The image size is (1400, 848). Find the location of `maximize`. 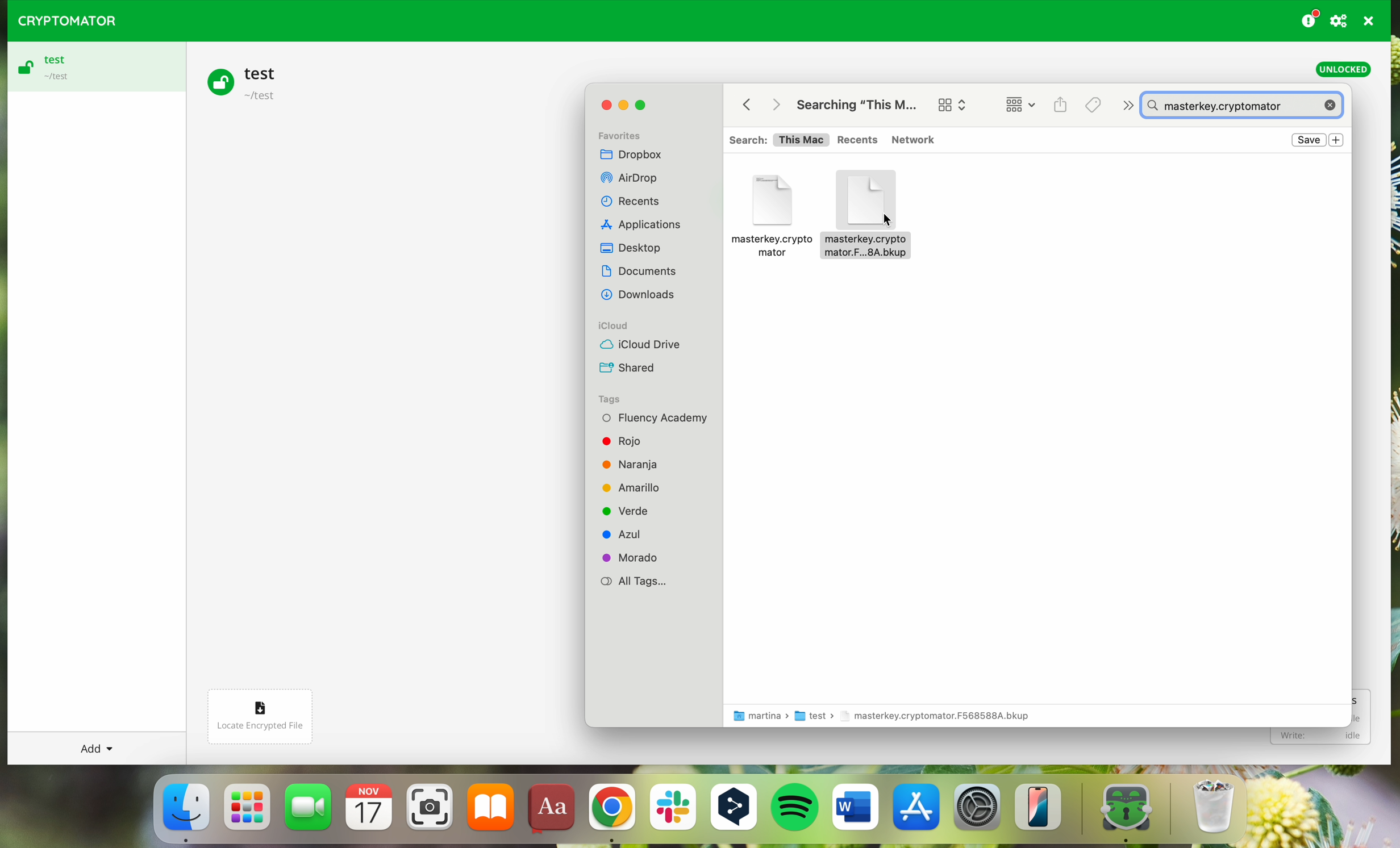

maximize is located at coordinates (644, 105).